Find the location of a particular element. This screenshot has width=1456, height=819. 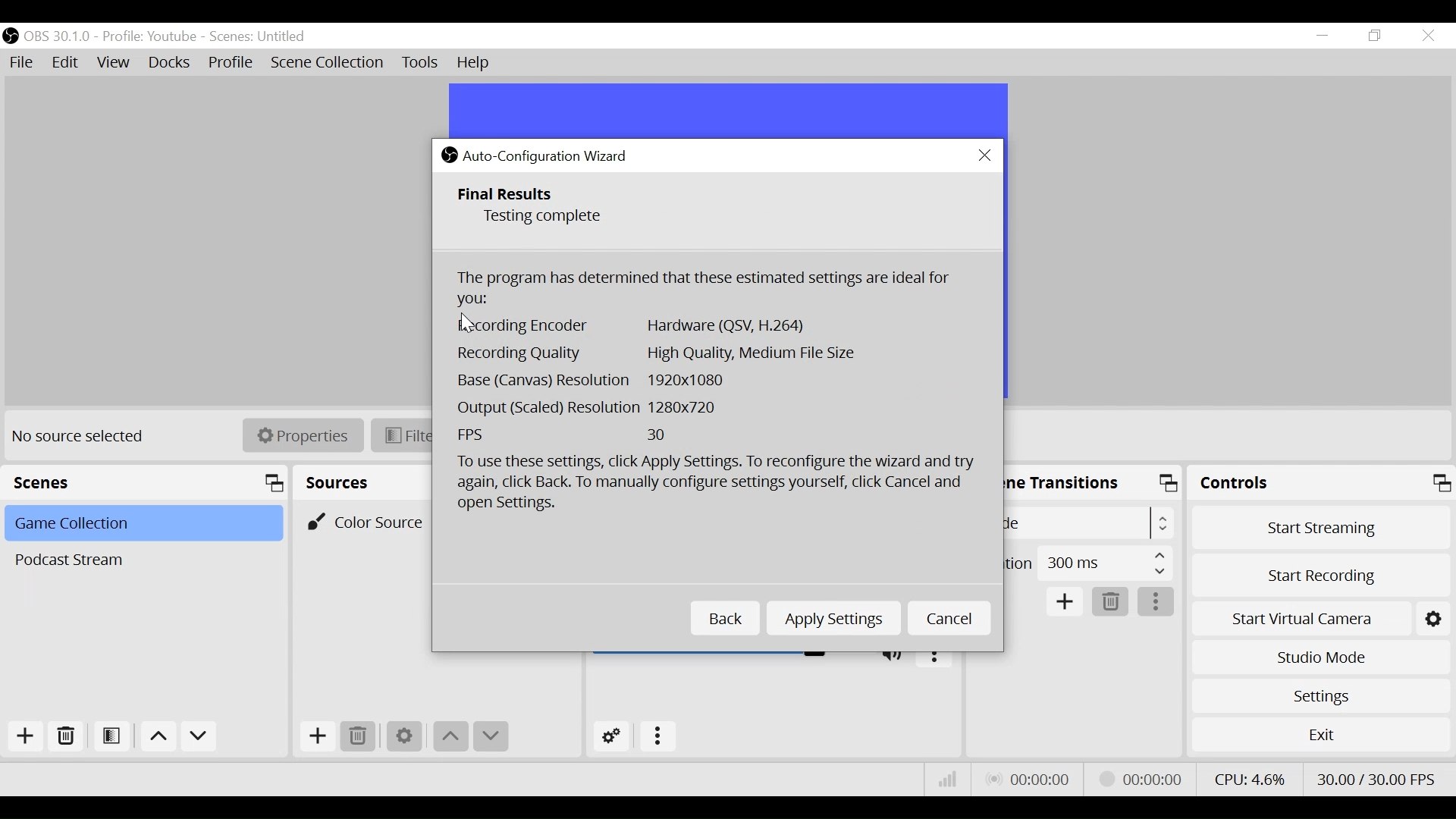

OBS Desktop icon is located at coordinates (11, 36).